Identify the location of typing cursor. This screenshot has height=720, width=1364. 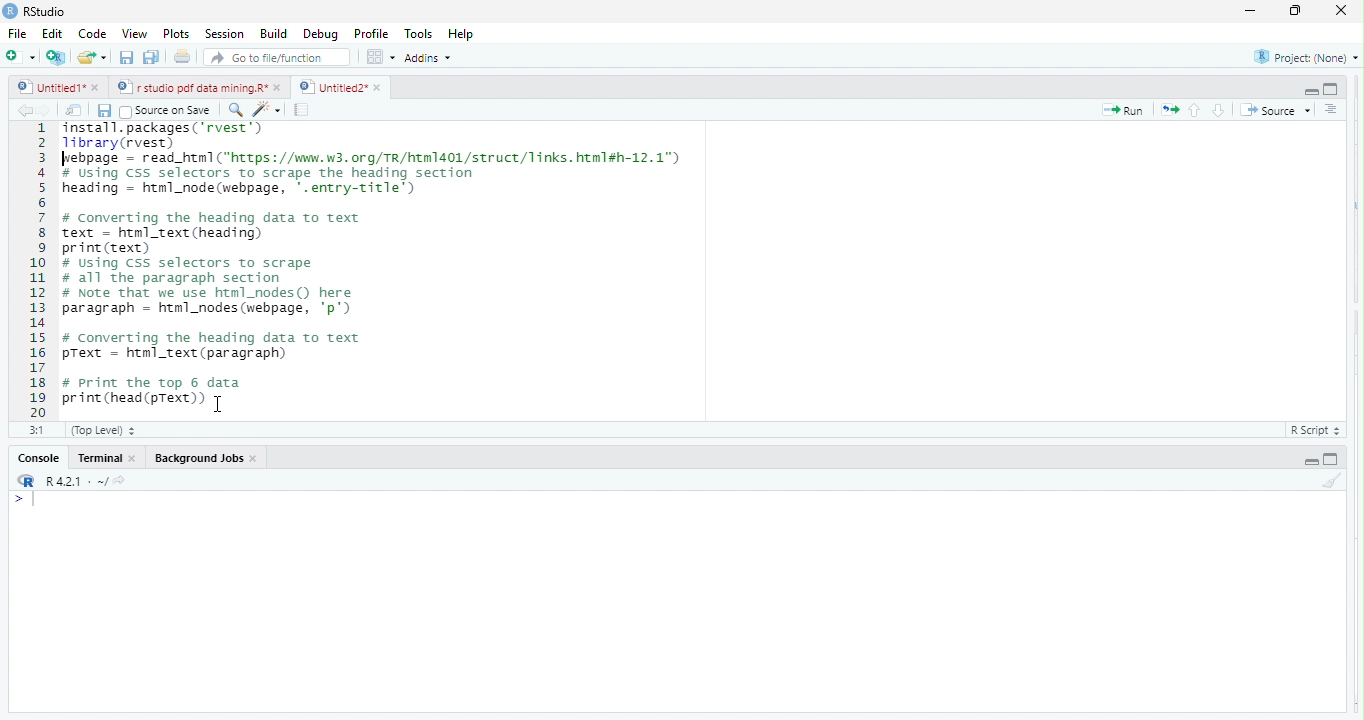
(67, 161).